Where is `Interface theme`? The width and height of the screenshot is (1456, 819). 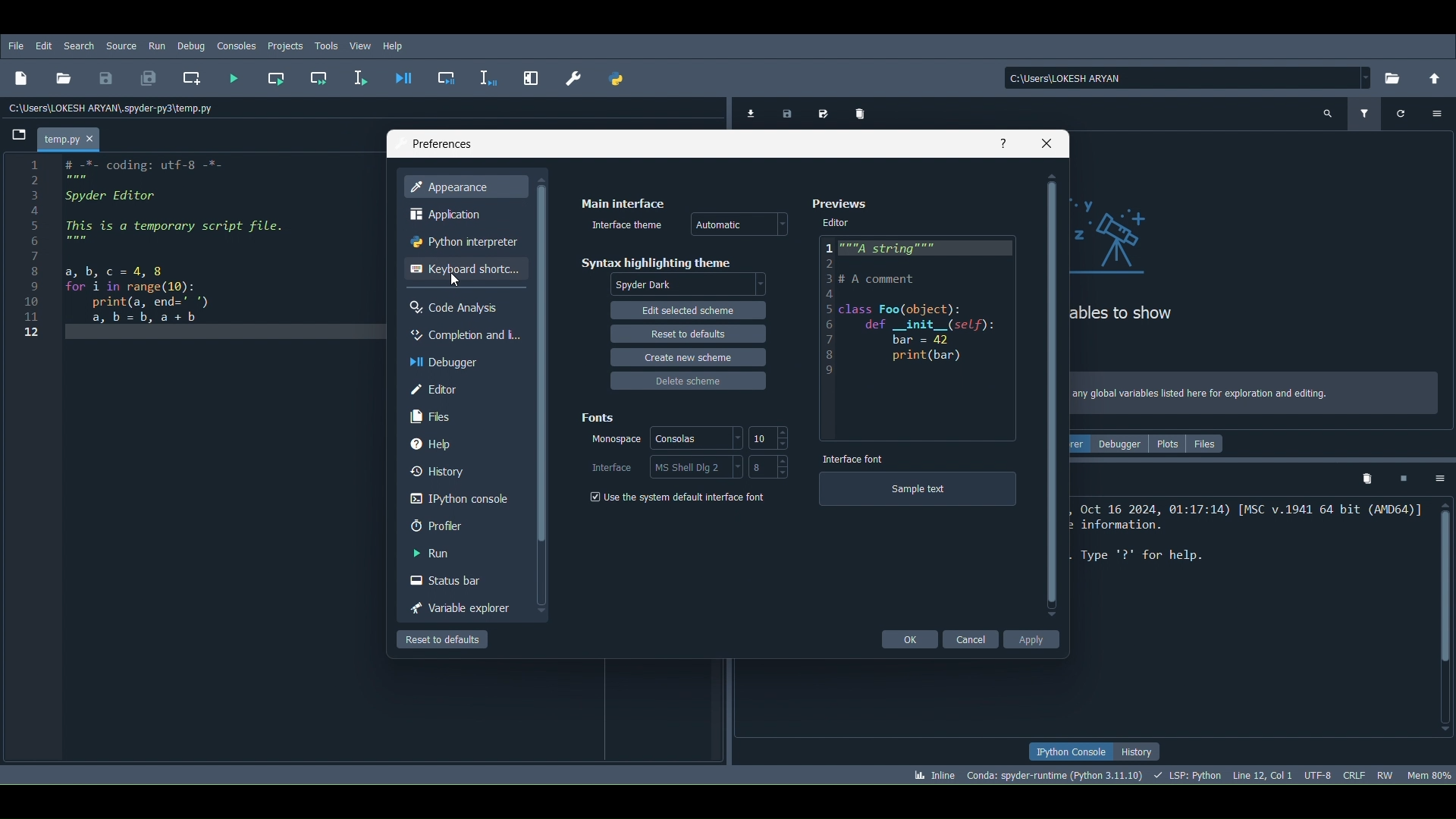
Interface theme is located at coordinates (629, 222).